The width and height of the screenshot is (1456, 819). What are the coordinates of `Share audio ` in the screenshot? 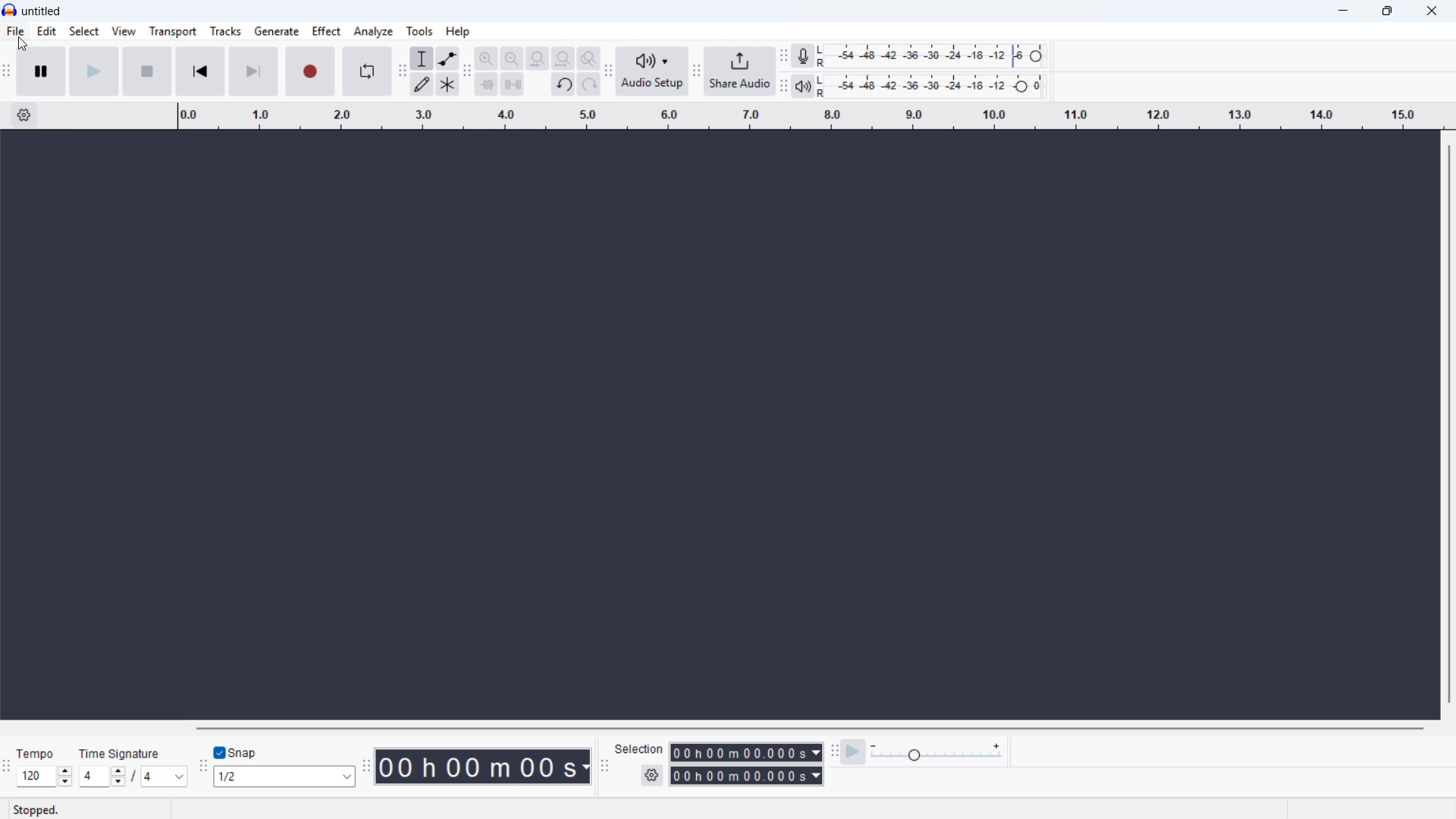 It's located at (740, 72).